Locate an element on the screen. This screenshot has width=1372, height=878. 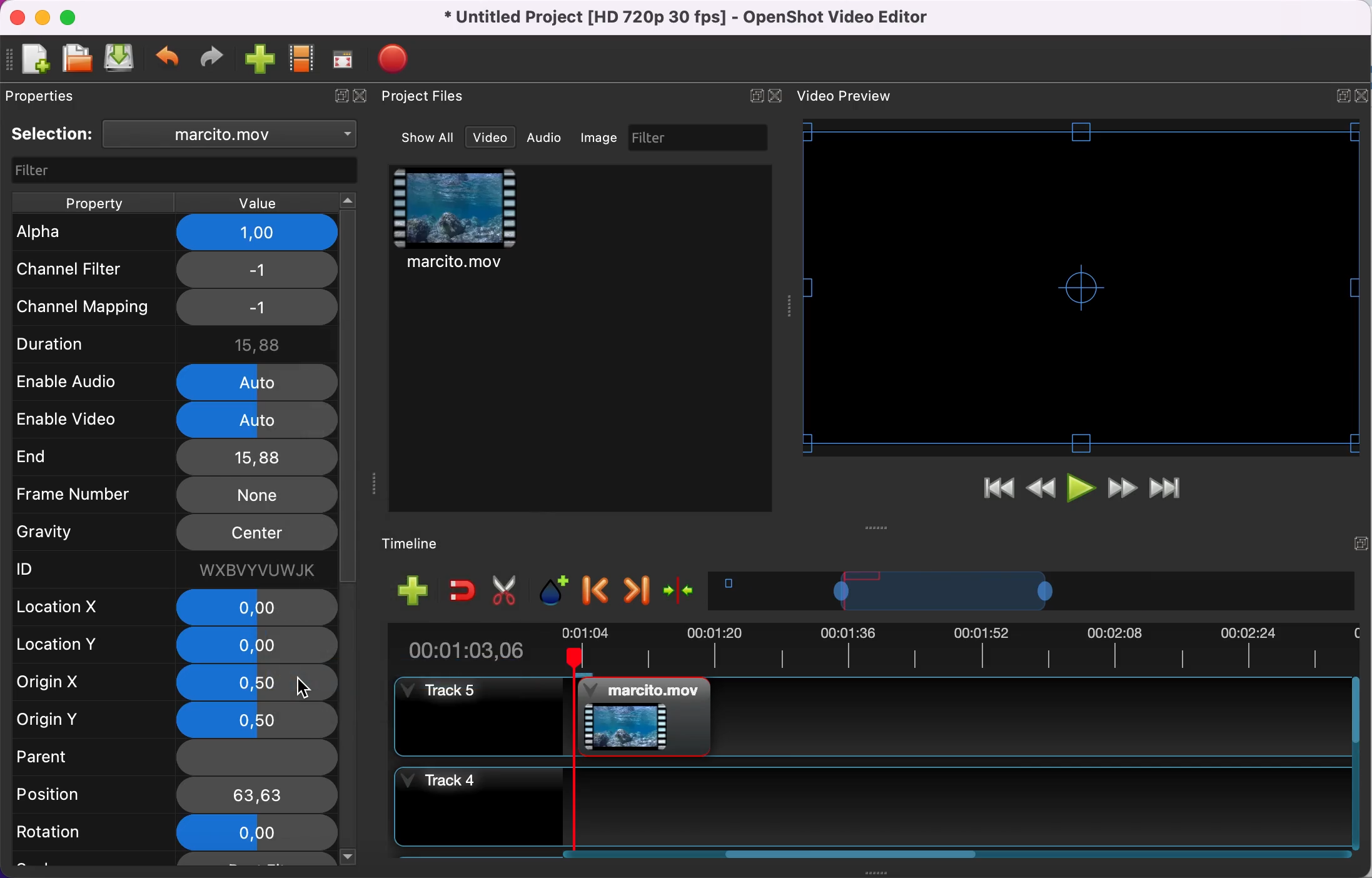
close is located at coordinates (365, 97).